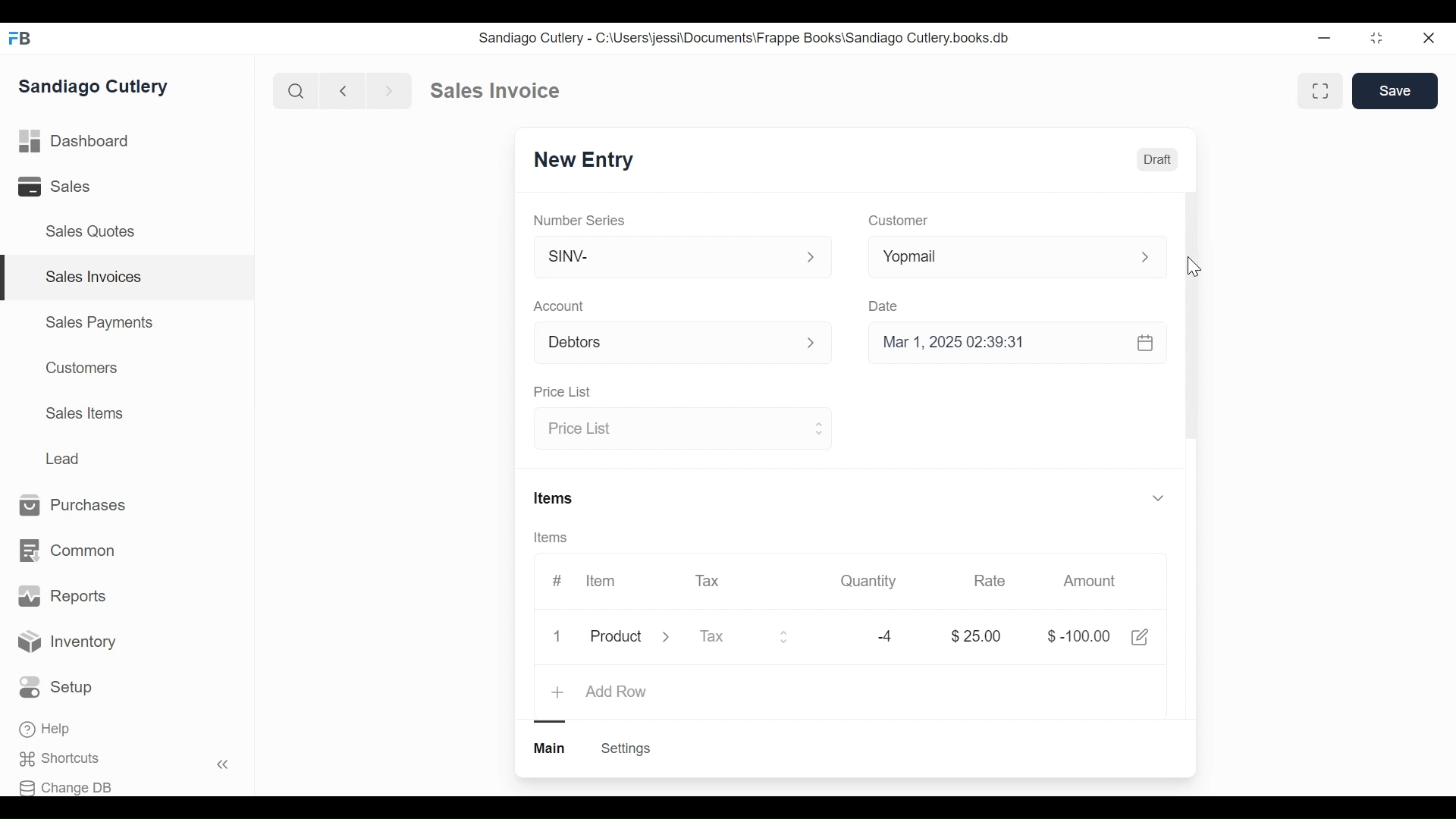 The image size is (1456, 819). Describe the element at coordinates (559, 306) in the screenshot. I see `Account` at that location.